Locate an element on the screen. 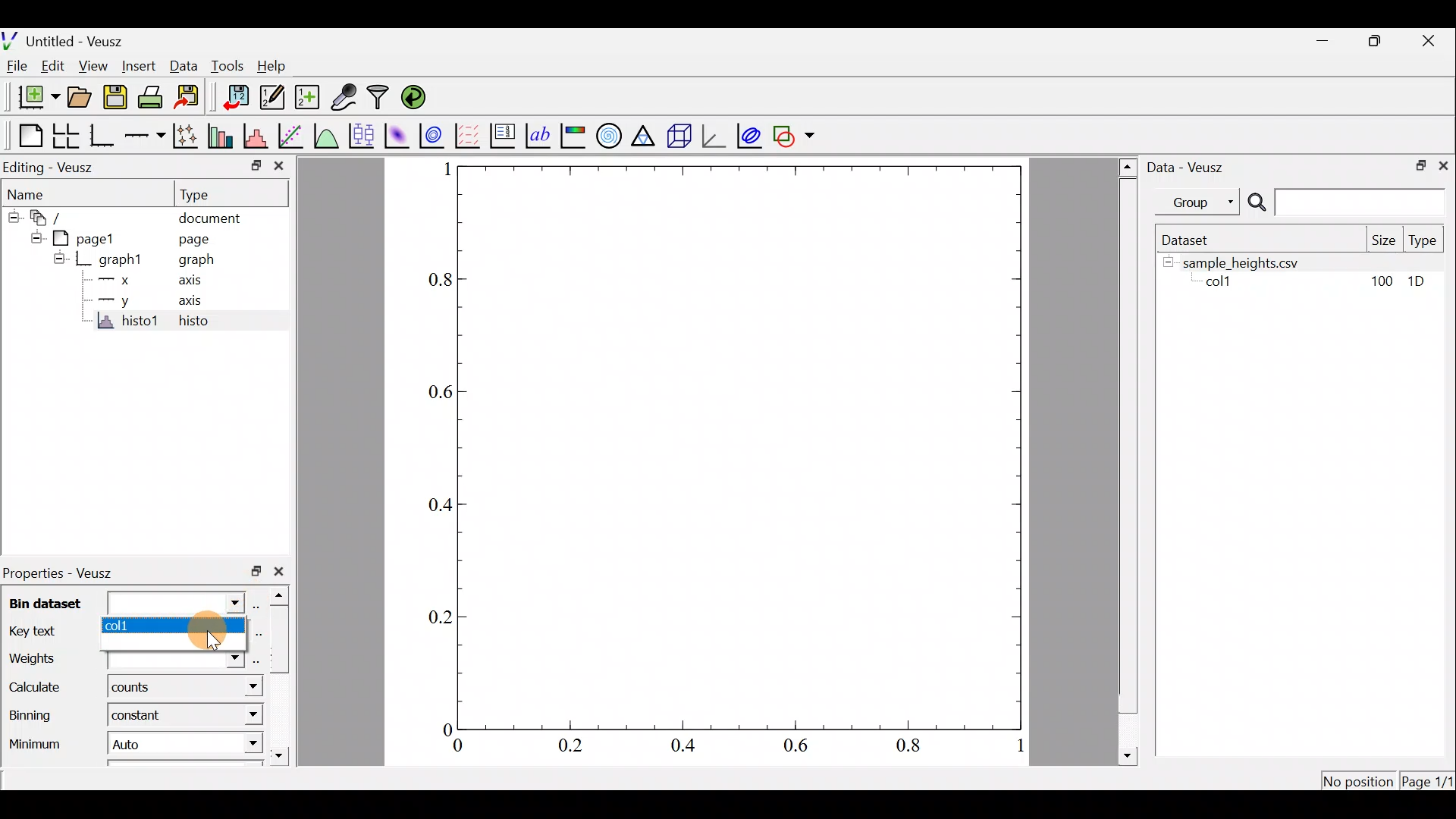  new document is located at coordinates (33, 101).